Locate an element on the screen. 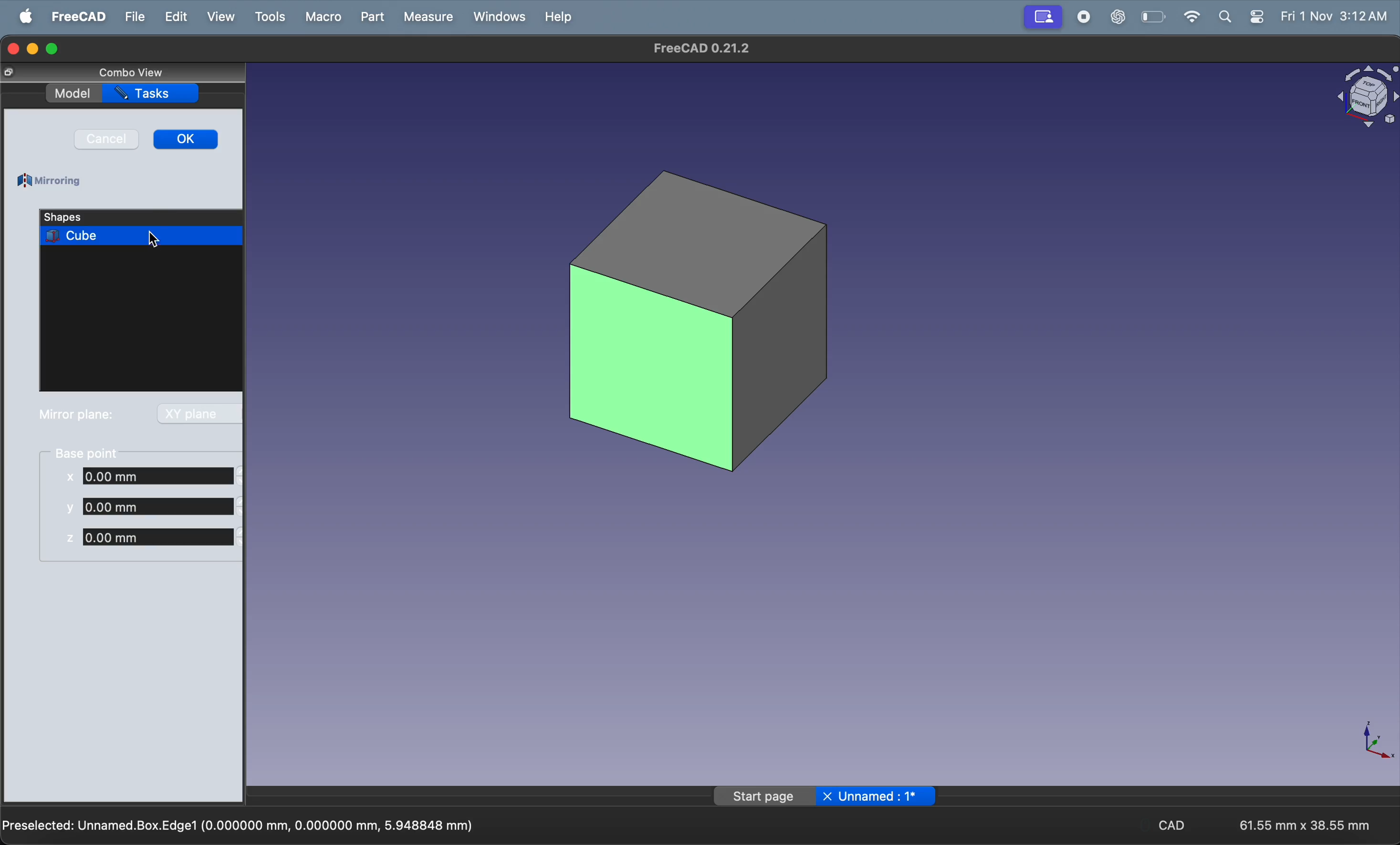 The width and height of the screenshot is (1400, 845). cursor is located at coordinates (152, 239).